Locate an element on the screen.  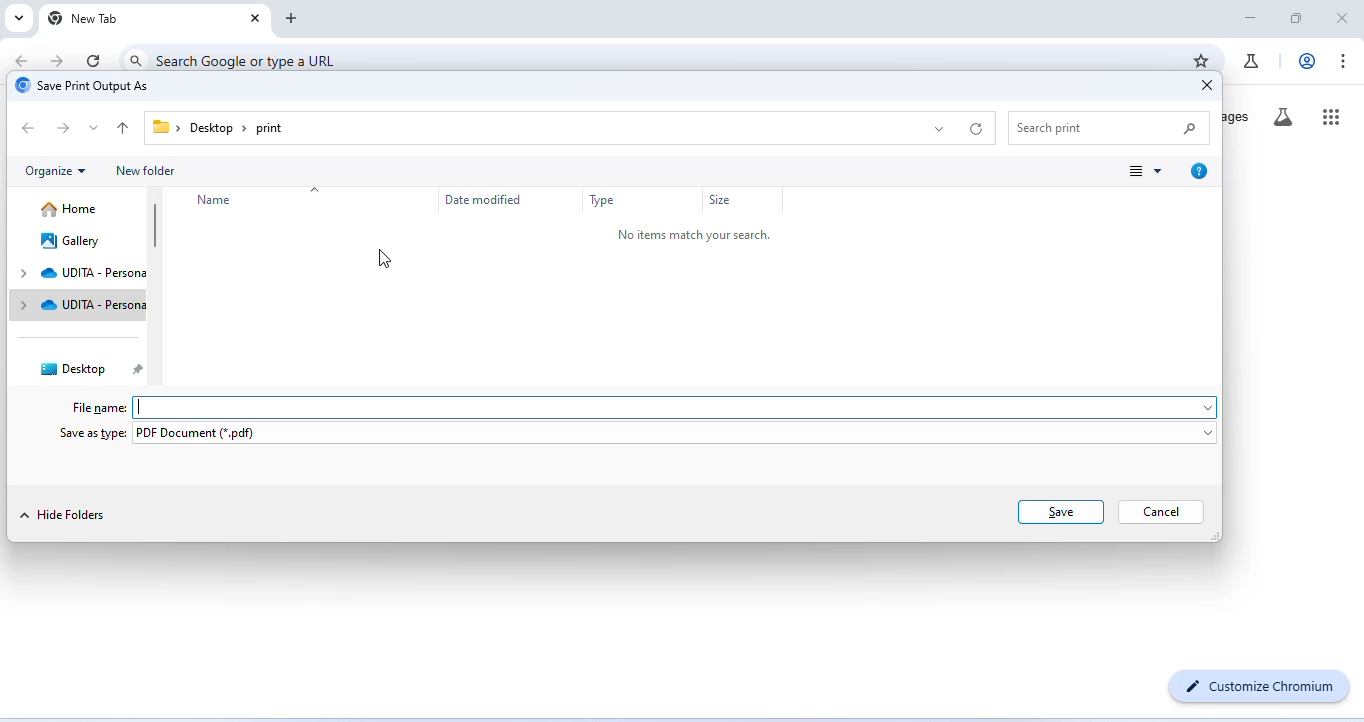
gallery is located at coordinates (71, 241).